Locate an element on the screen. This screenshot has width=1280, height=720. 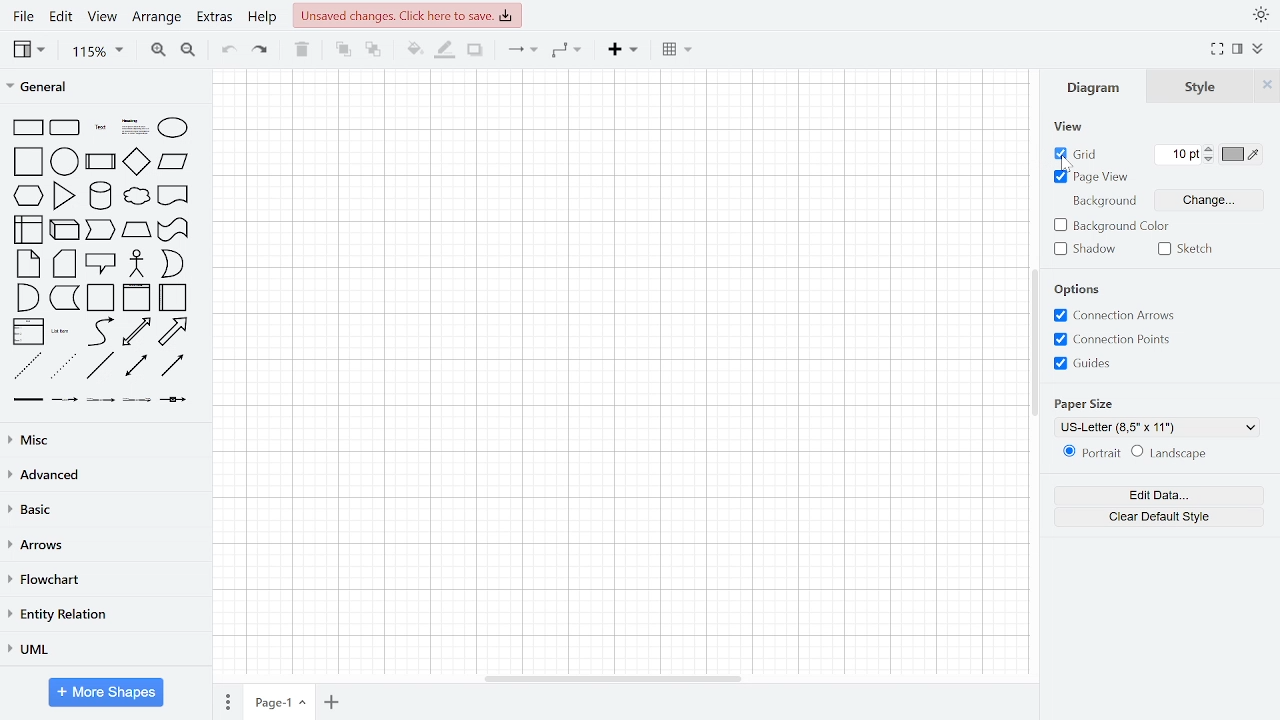
delete is located at coordinates (302, 50).